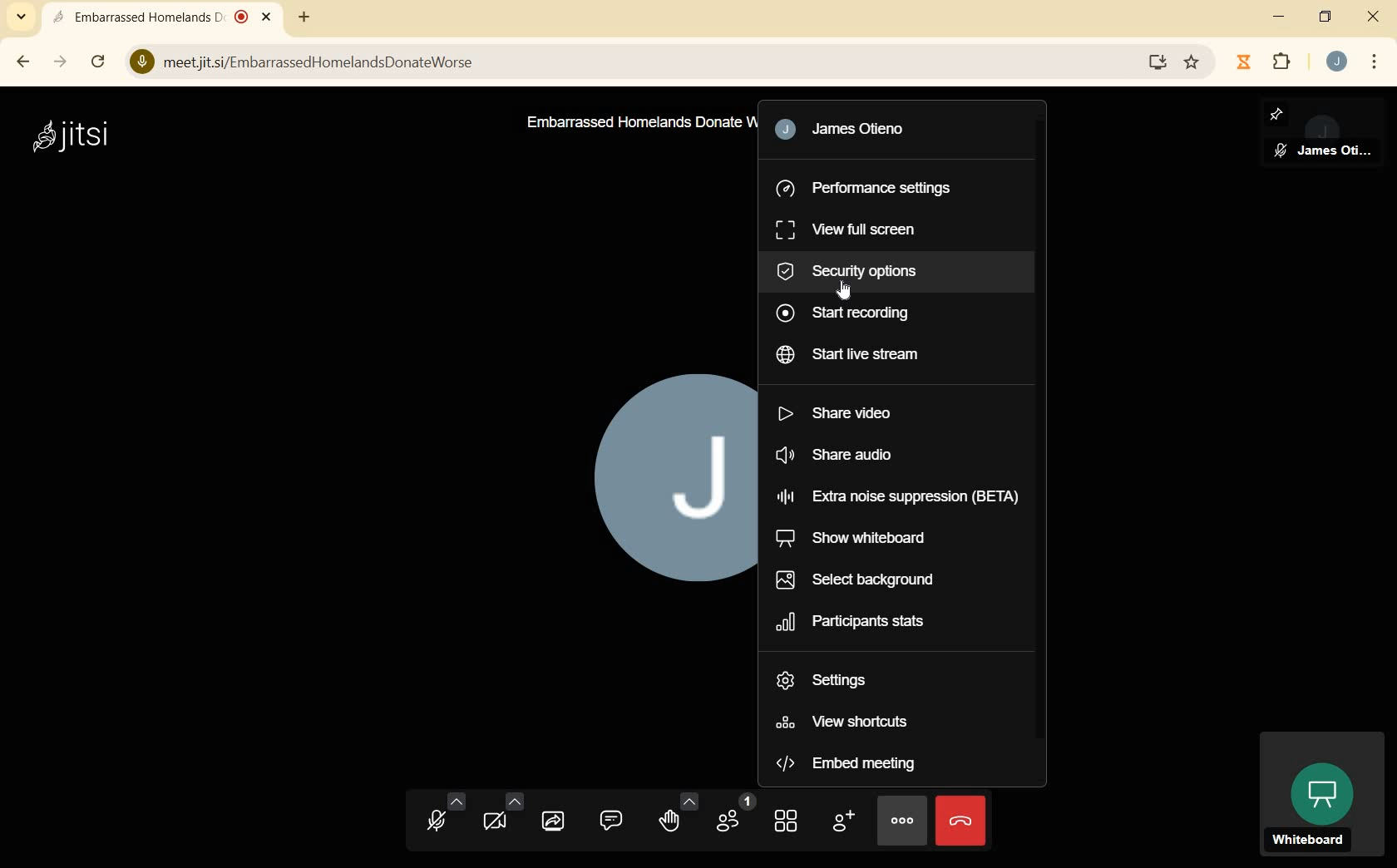 This screenshot has height=868, width=1397. I want to click on toggle tile view, so click(786, 821).